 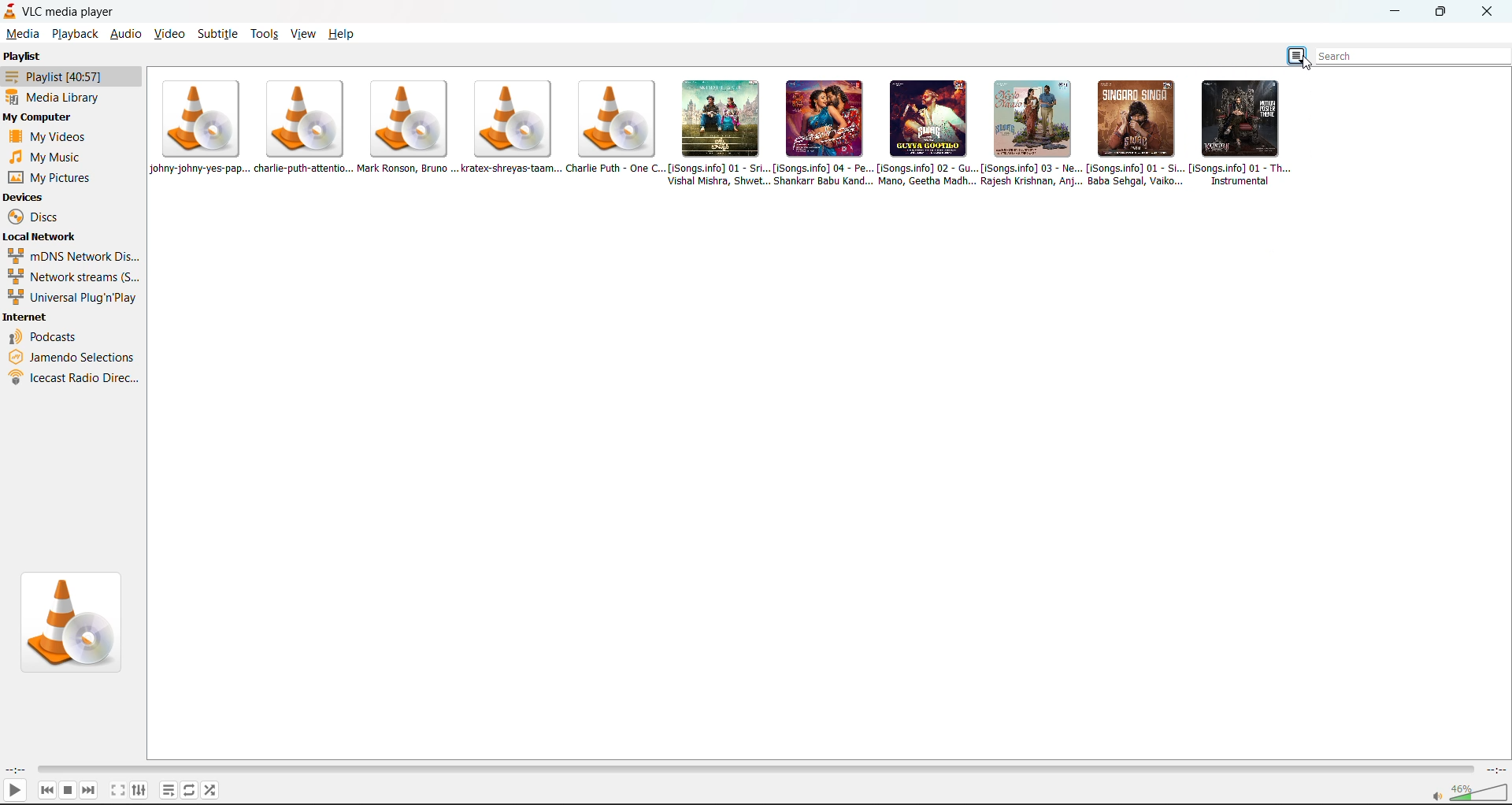 I want to click on playlist, so click(x=65, y=78).